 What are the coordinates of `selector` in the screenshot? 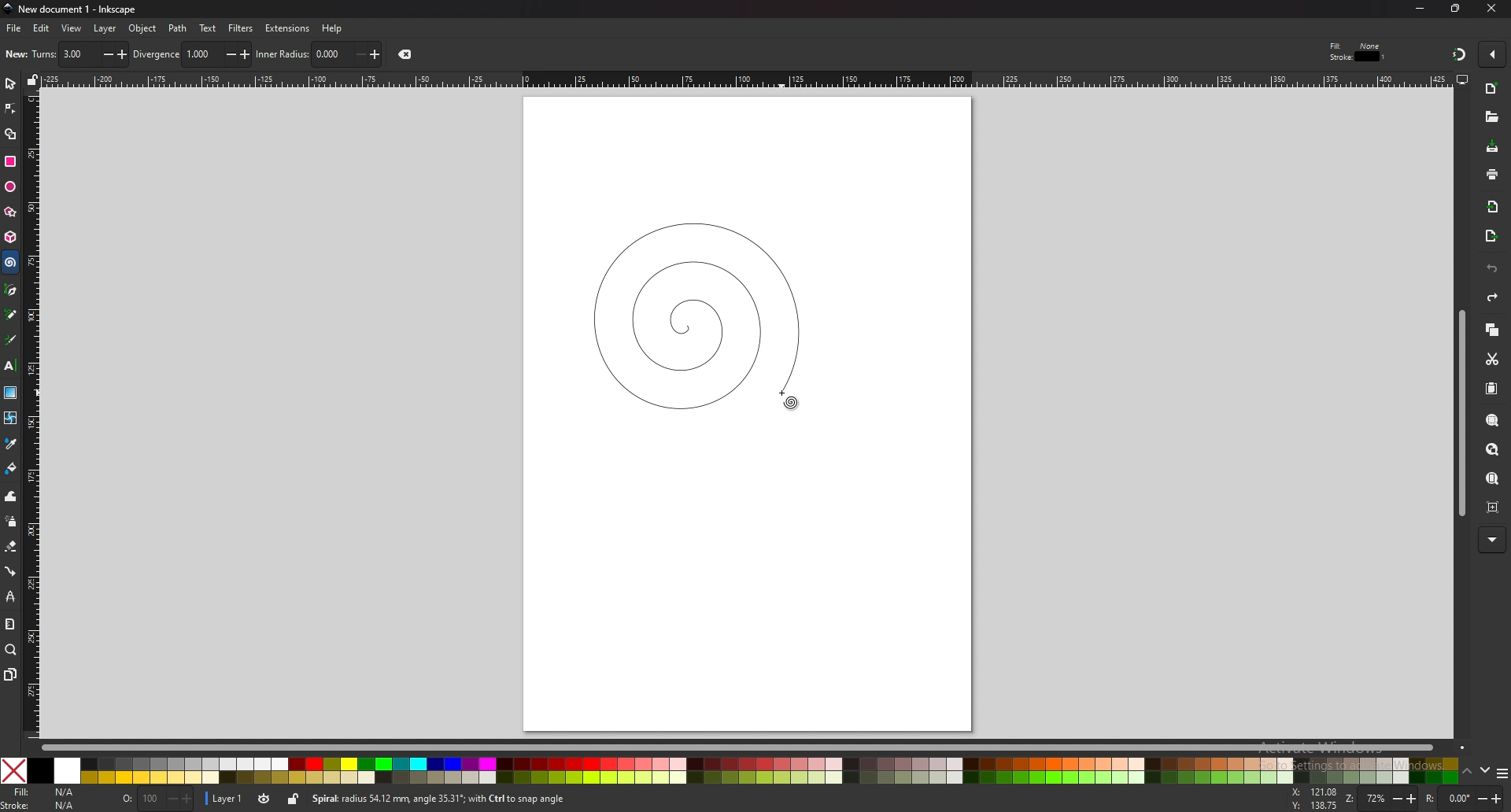 It's located at (10, 84).